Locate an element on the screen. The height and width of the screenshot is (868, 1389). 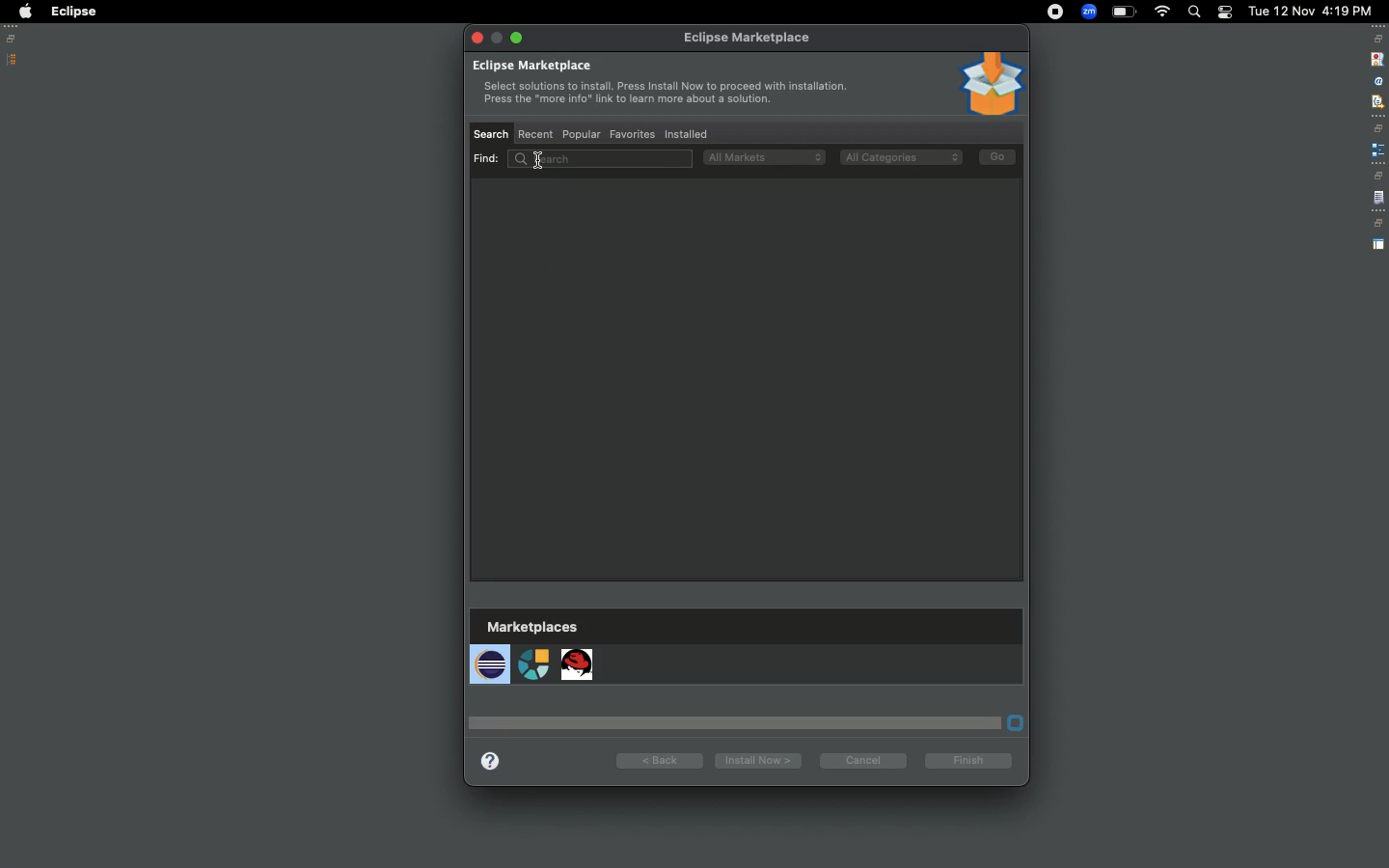
Close is located at coordinates (477, 39).